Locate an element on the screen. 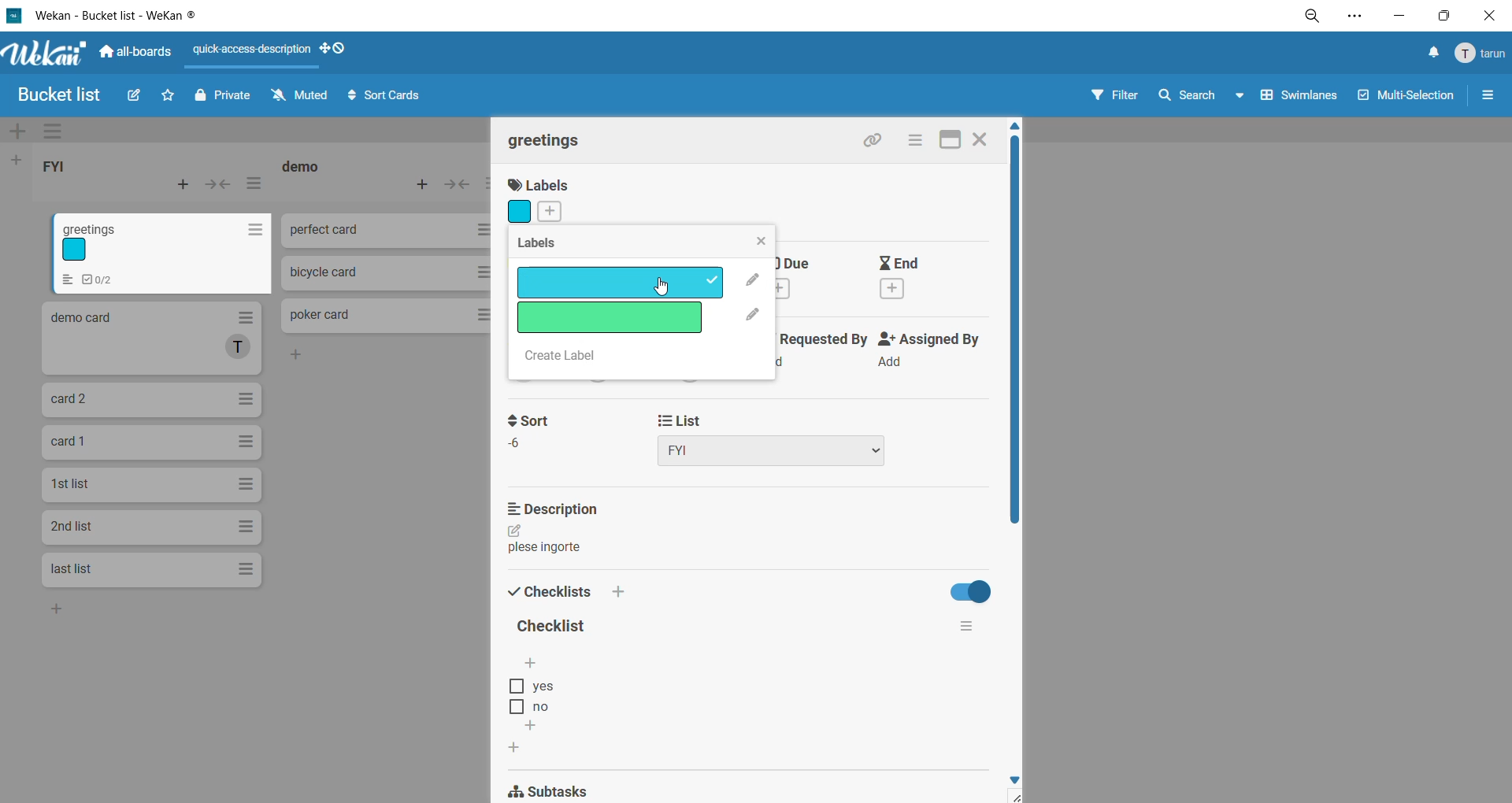 The width and height of the screenshot is (1512, 803). swimlanes is located at coordinates (1292, 98).